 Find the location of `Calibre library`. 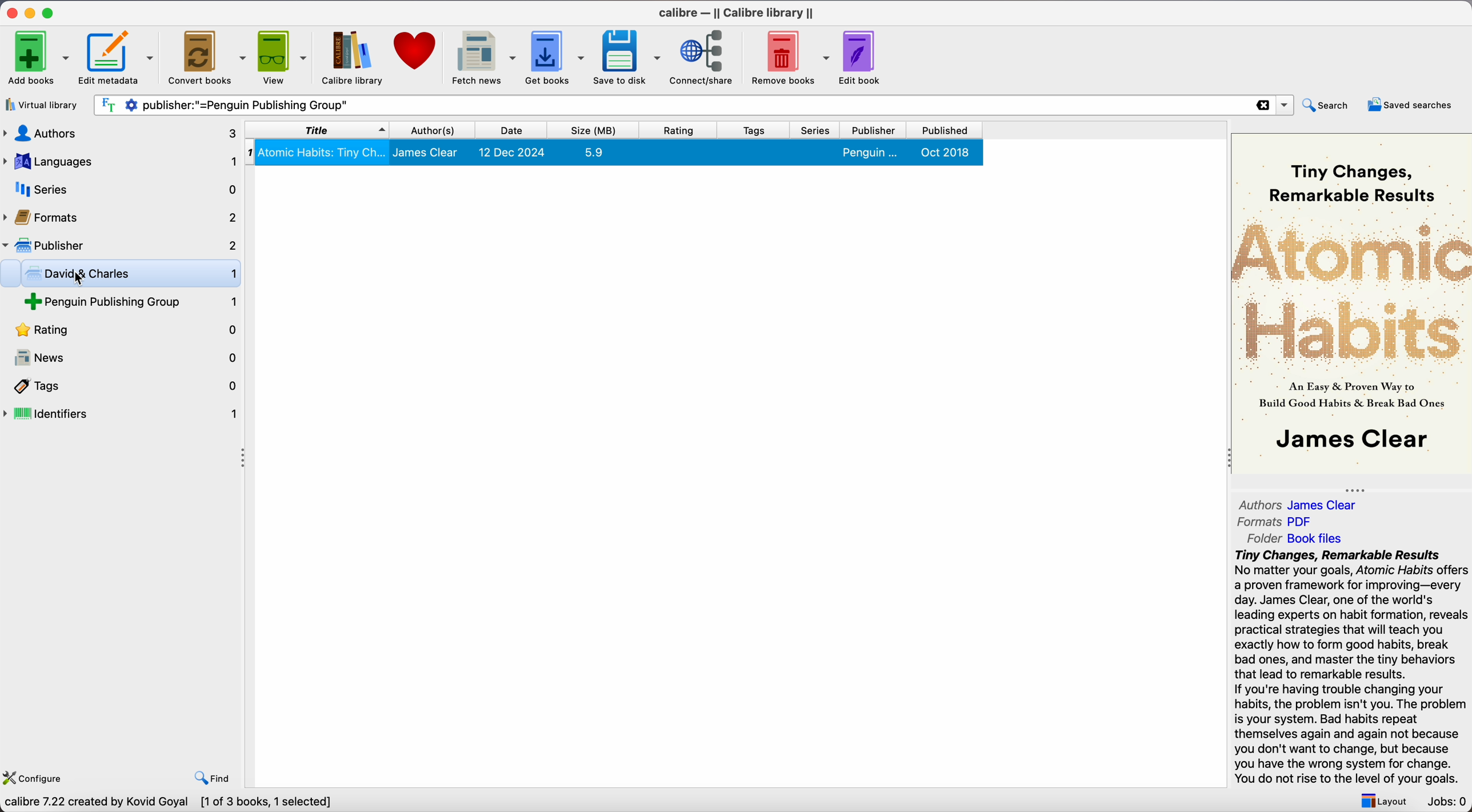

Calibre library is located at coordinates (353, 59).